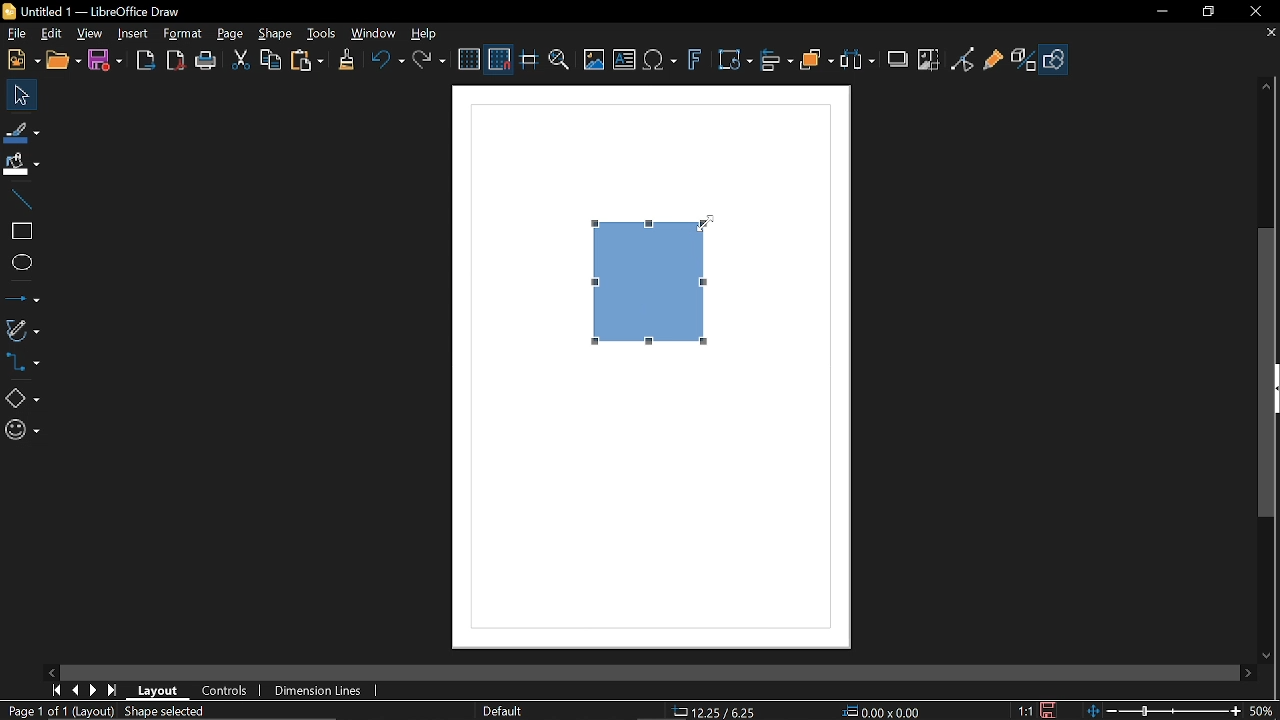 This screenshot has height=720, width=1280. Describe the element at coordinates (647, 285) in the screenshot. I see `Rectangle (Select Object)` at that location.